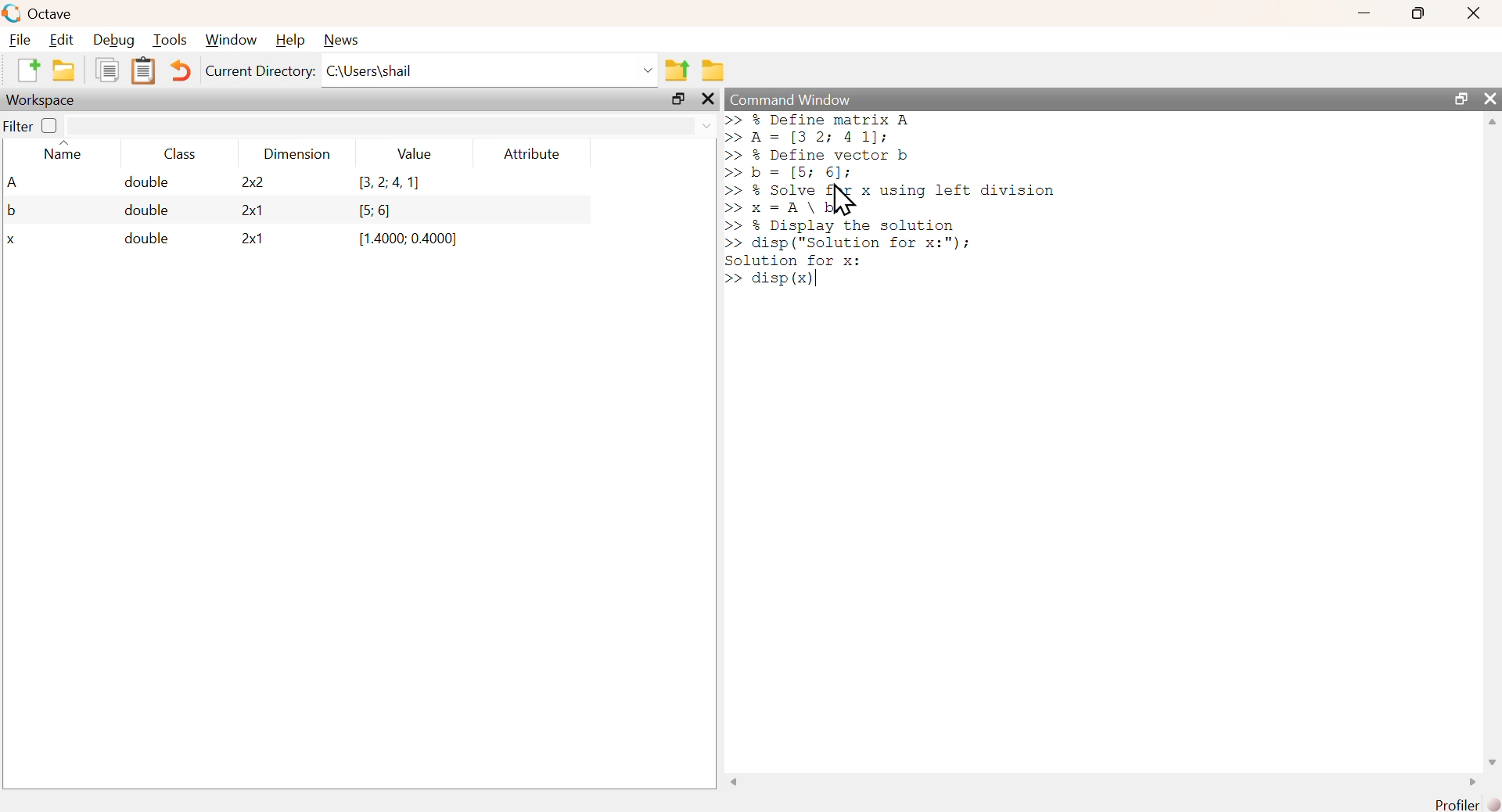 Image resolution: width=1502 pixels, height=812 pixels. Describe the element at coordinates (18, 127) in the screenshot. I see `filter` at that location.